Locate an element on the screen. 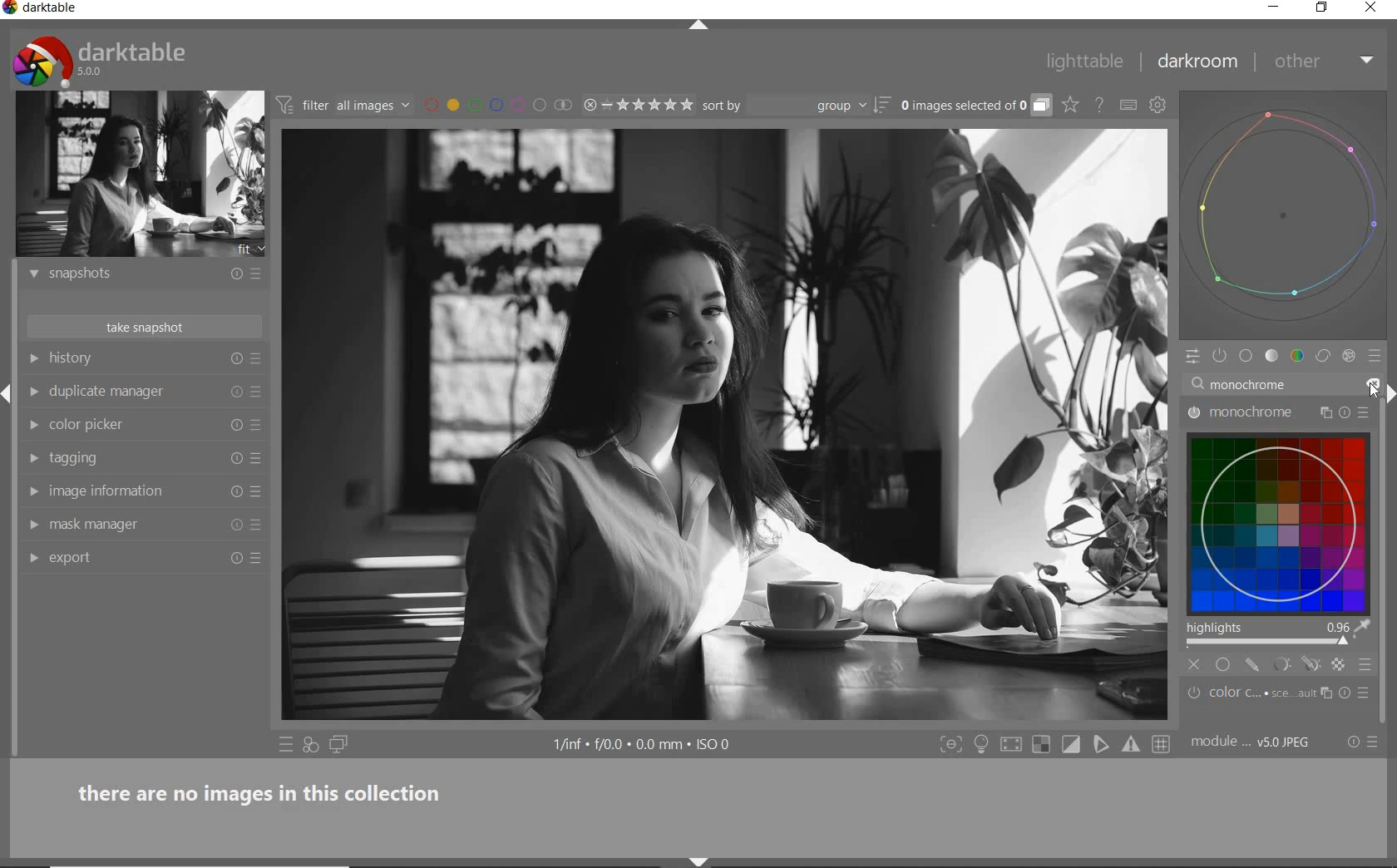 The height and width of the screenshot is (868, 1397). display a second darkroom image window is located at coordinates (339, 745).